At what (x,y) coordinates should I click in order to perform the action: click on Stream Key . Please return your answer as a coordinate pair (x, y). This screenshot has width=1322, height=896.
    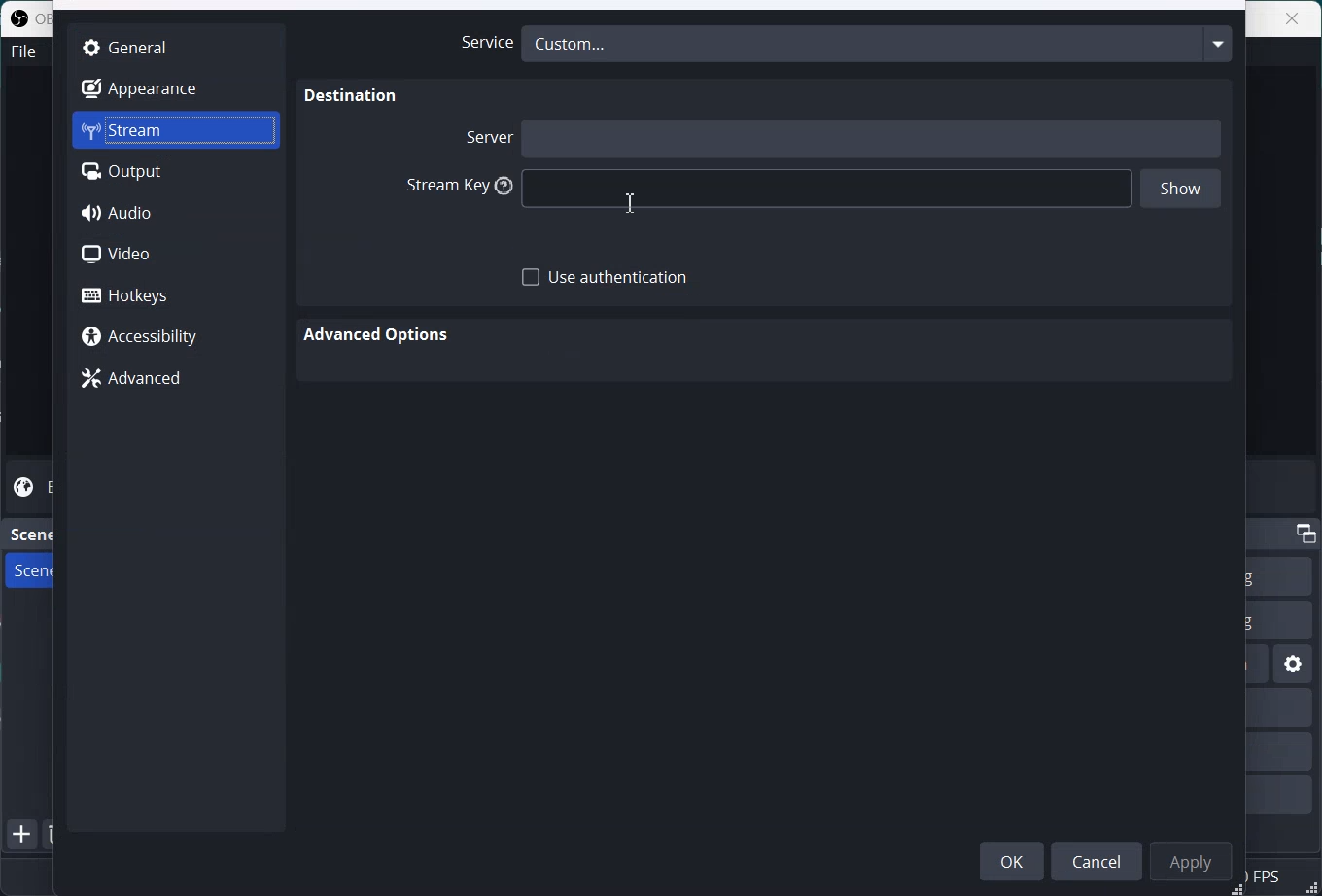
    Looking at the image, I should click on (454, 187).